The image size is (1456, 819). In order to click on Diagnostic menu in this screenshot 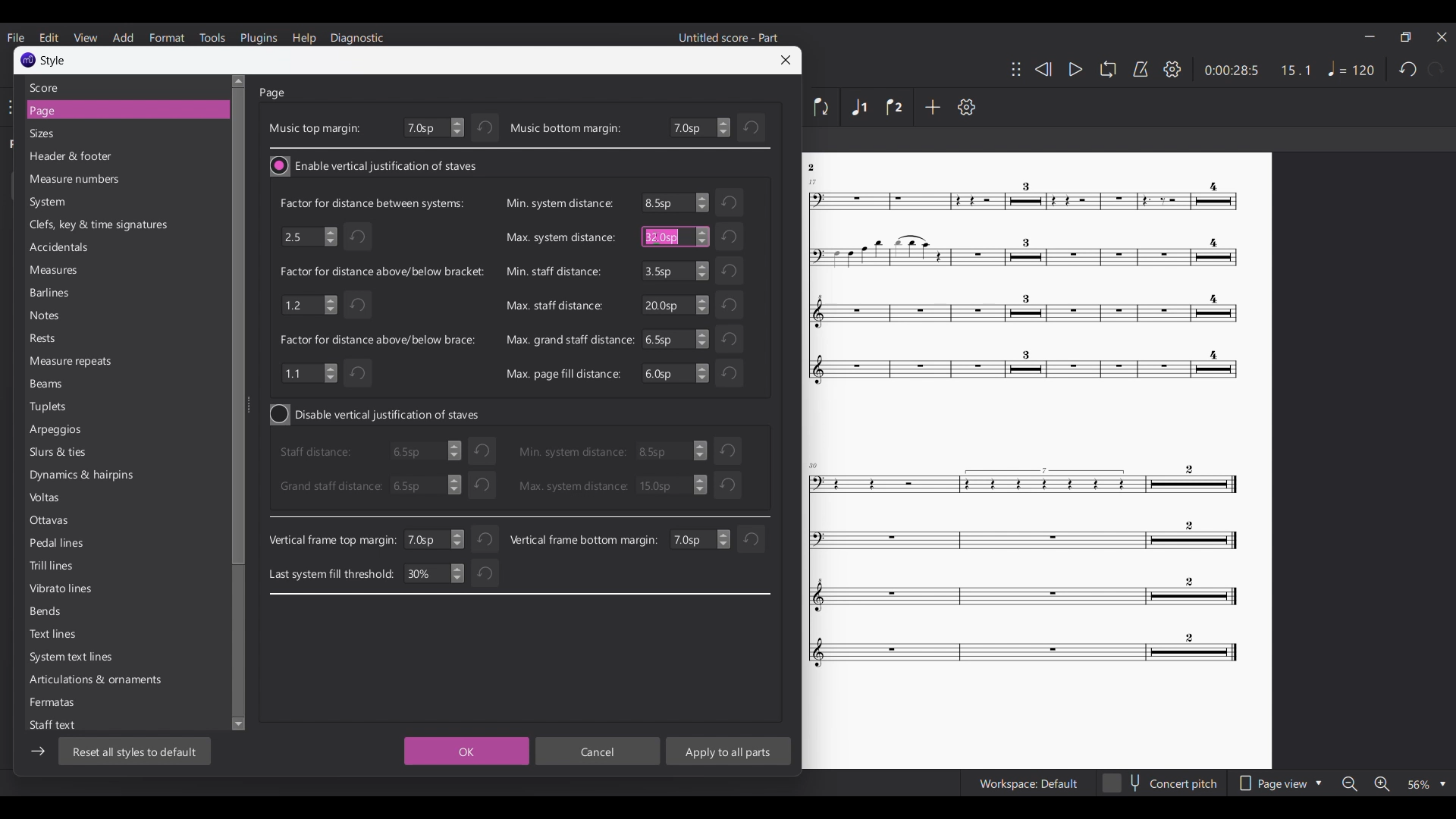, I will do `click(357, 39)`.